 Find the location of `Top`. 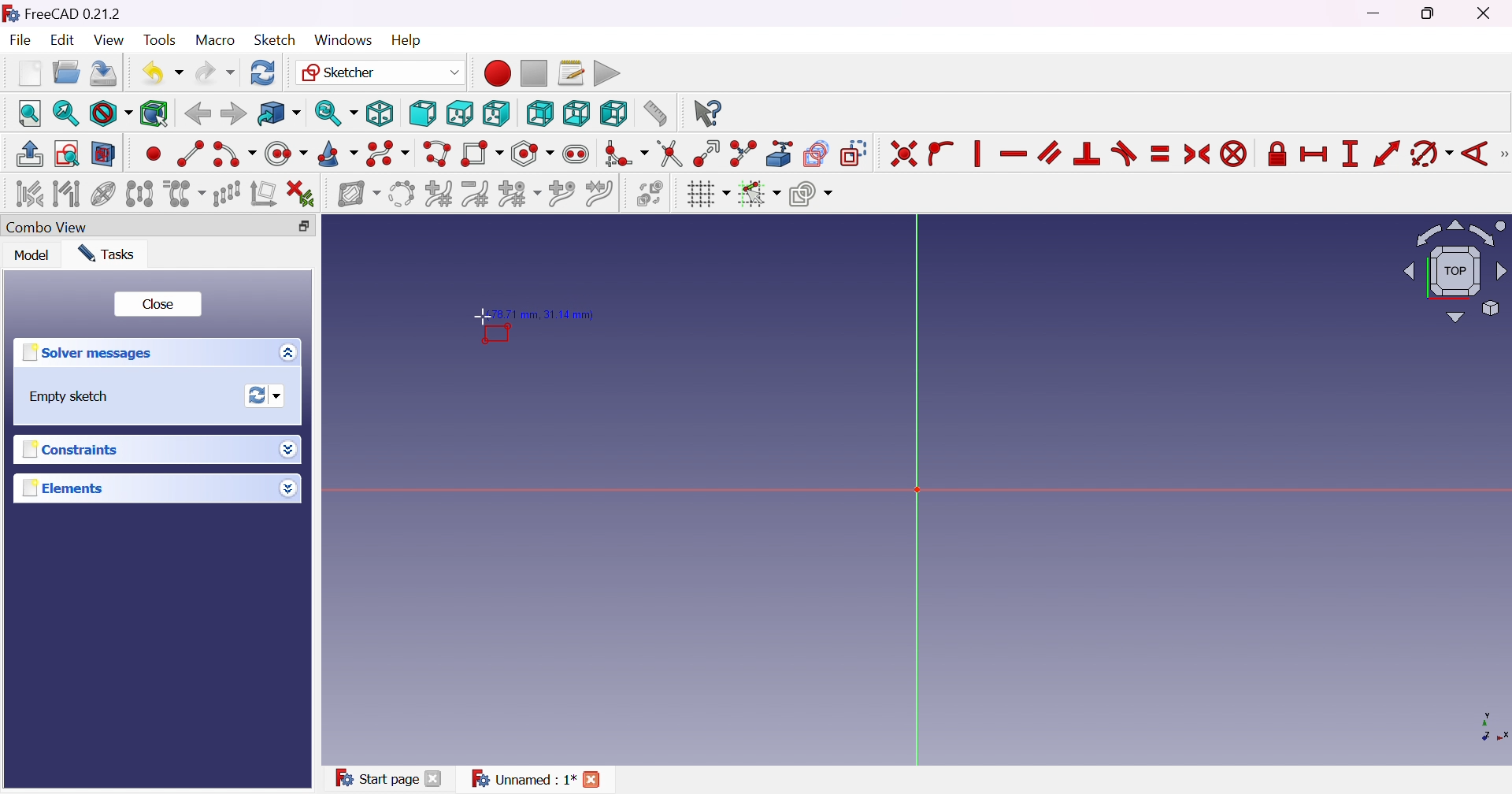

Top is located at coordinates (461, 113).